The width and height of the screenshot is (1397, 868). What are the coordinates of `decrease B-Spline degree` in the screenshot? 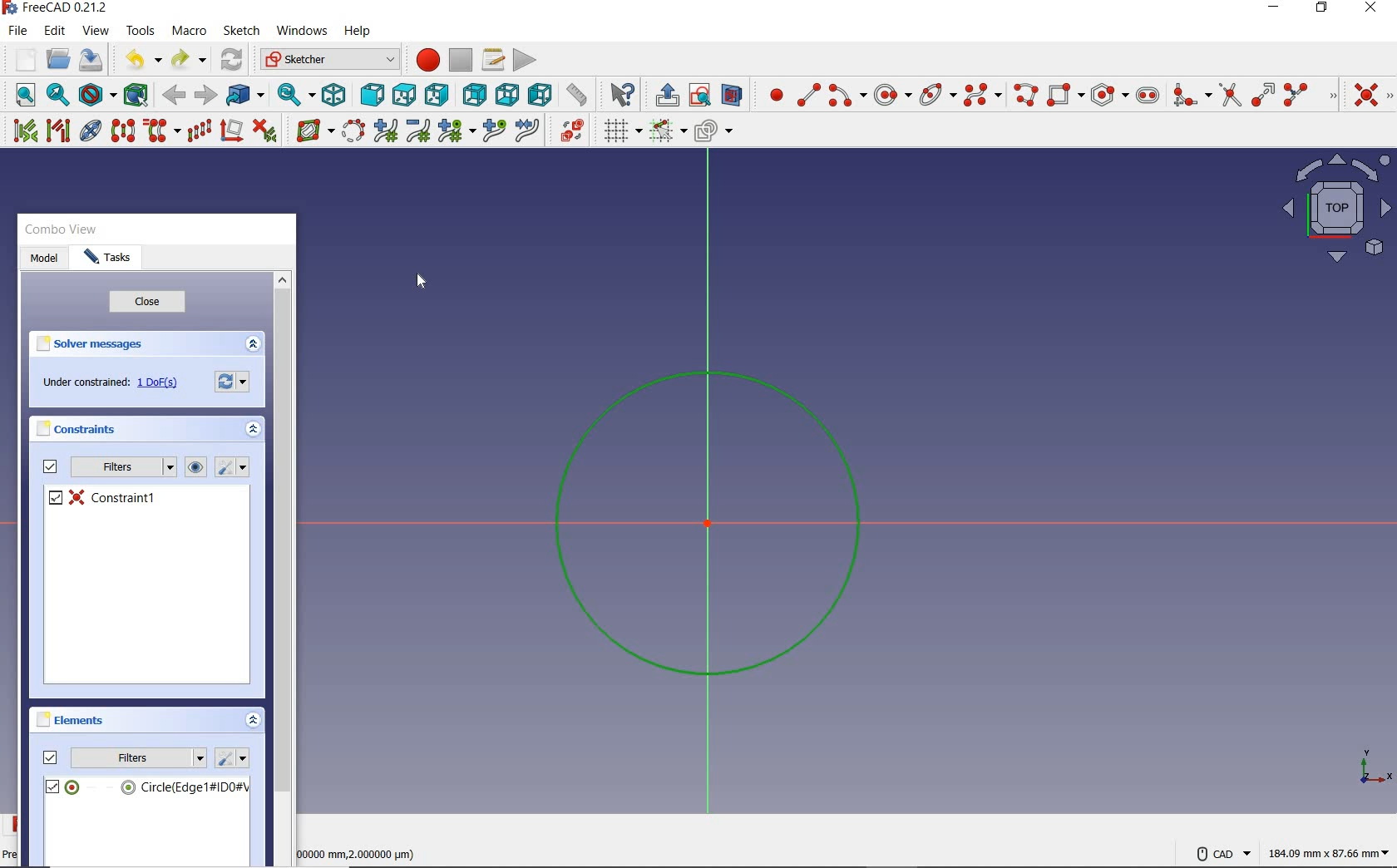 It's located at (417, 131).